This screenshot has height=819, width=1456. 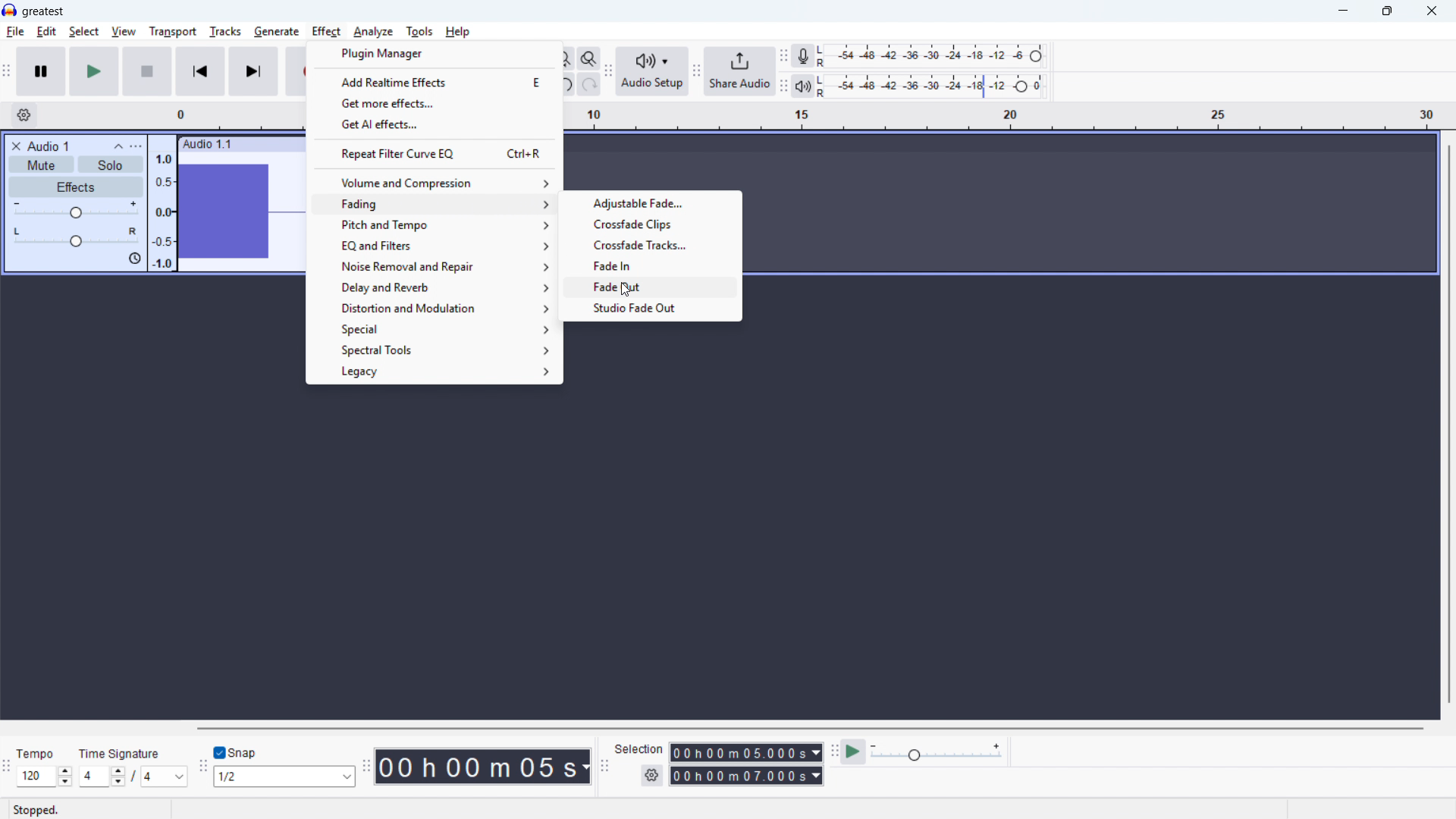 I want to click on Repeat filter and curve EQ, so click(x=434, y=152).